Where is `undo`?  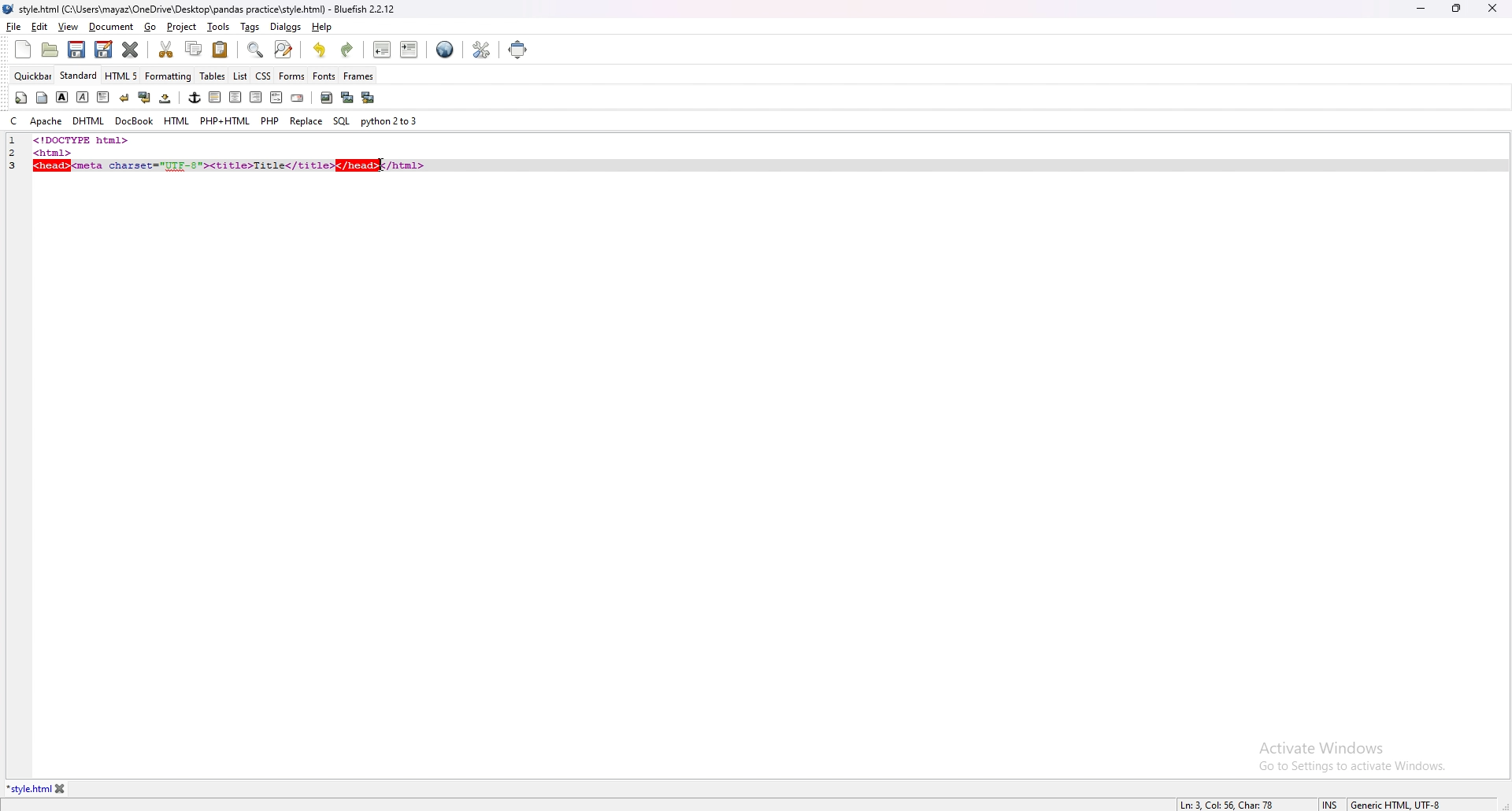
undo is located at coordinates (321, 50).